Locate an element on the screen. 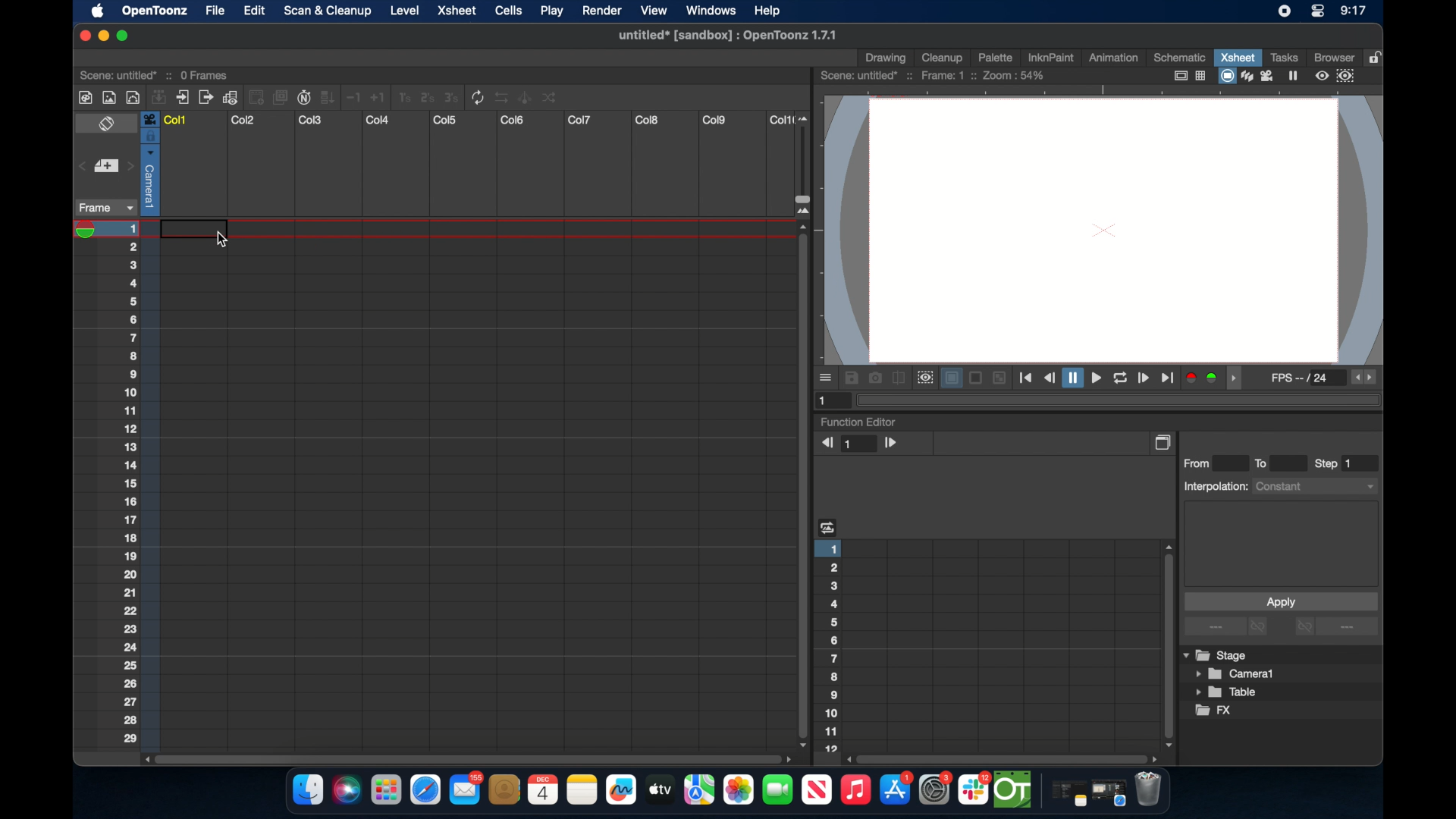 The height and width of the screenshot is (819, 1456). backgrounds is located at coordinates (973, 378).